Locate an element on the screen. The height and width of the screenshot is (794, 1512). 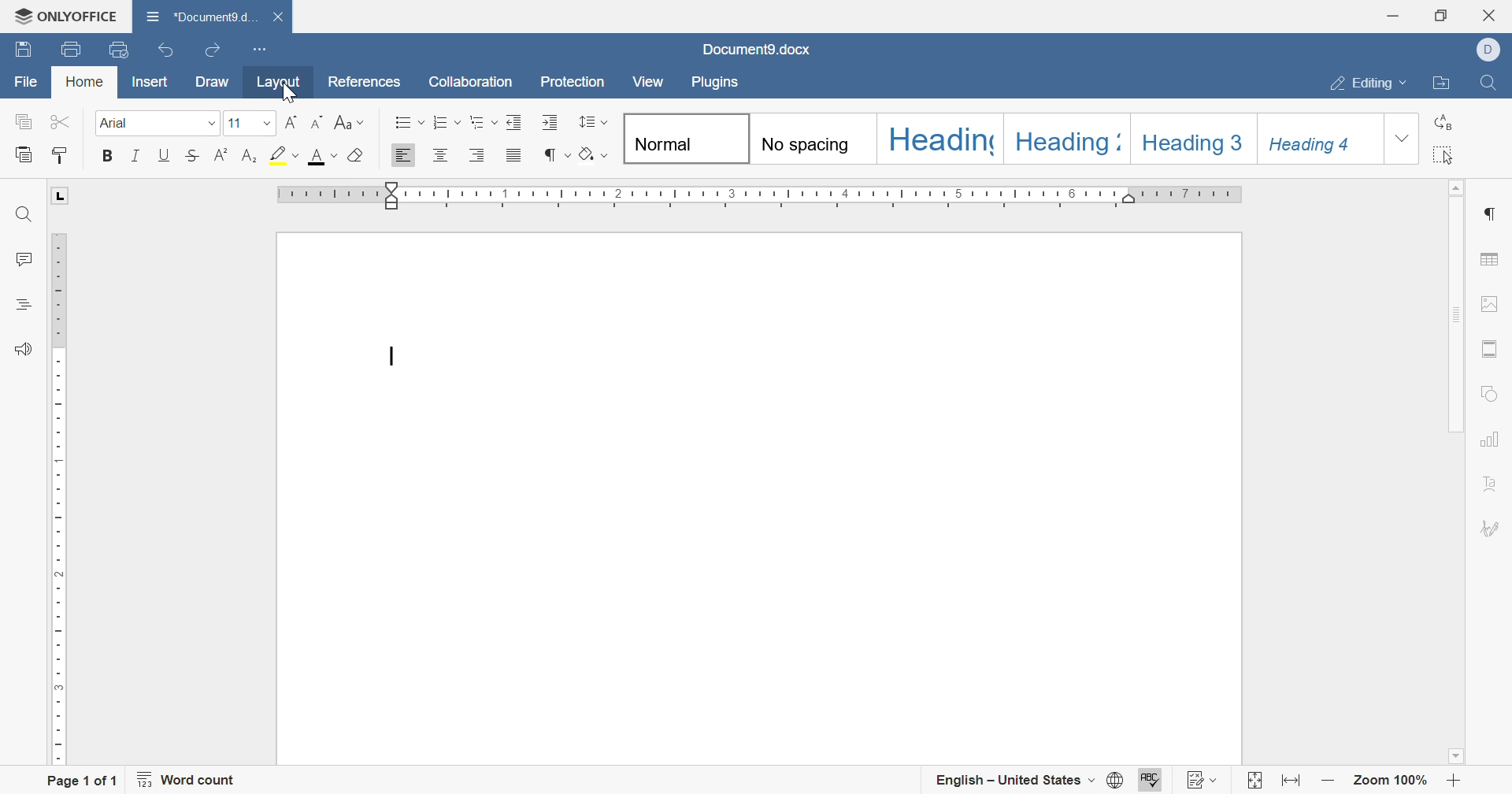
align center is located at coordinates (444, 153).